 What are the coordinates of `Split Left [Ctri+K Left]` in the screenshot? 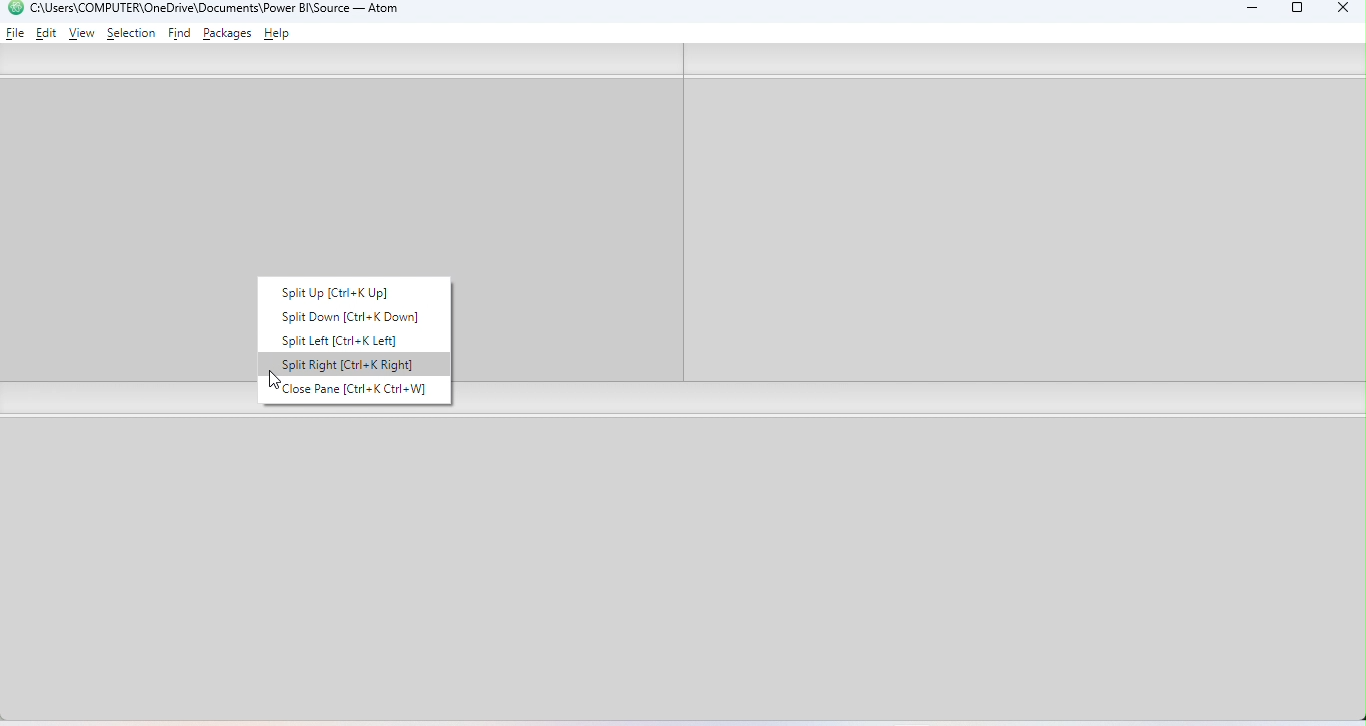 It's located at (351, 340).